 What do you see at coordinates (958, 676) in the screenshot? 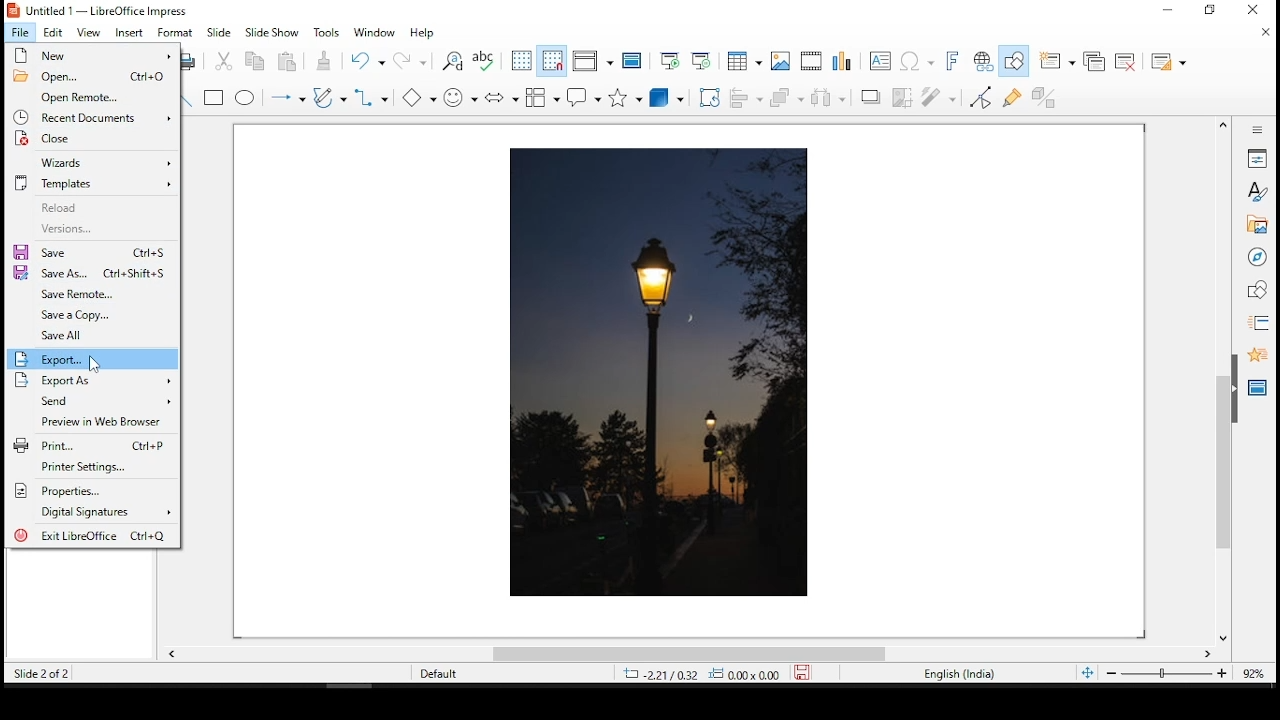
I see `English` at bounding box center [958, 676].